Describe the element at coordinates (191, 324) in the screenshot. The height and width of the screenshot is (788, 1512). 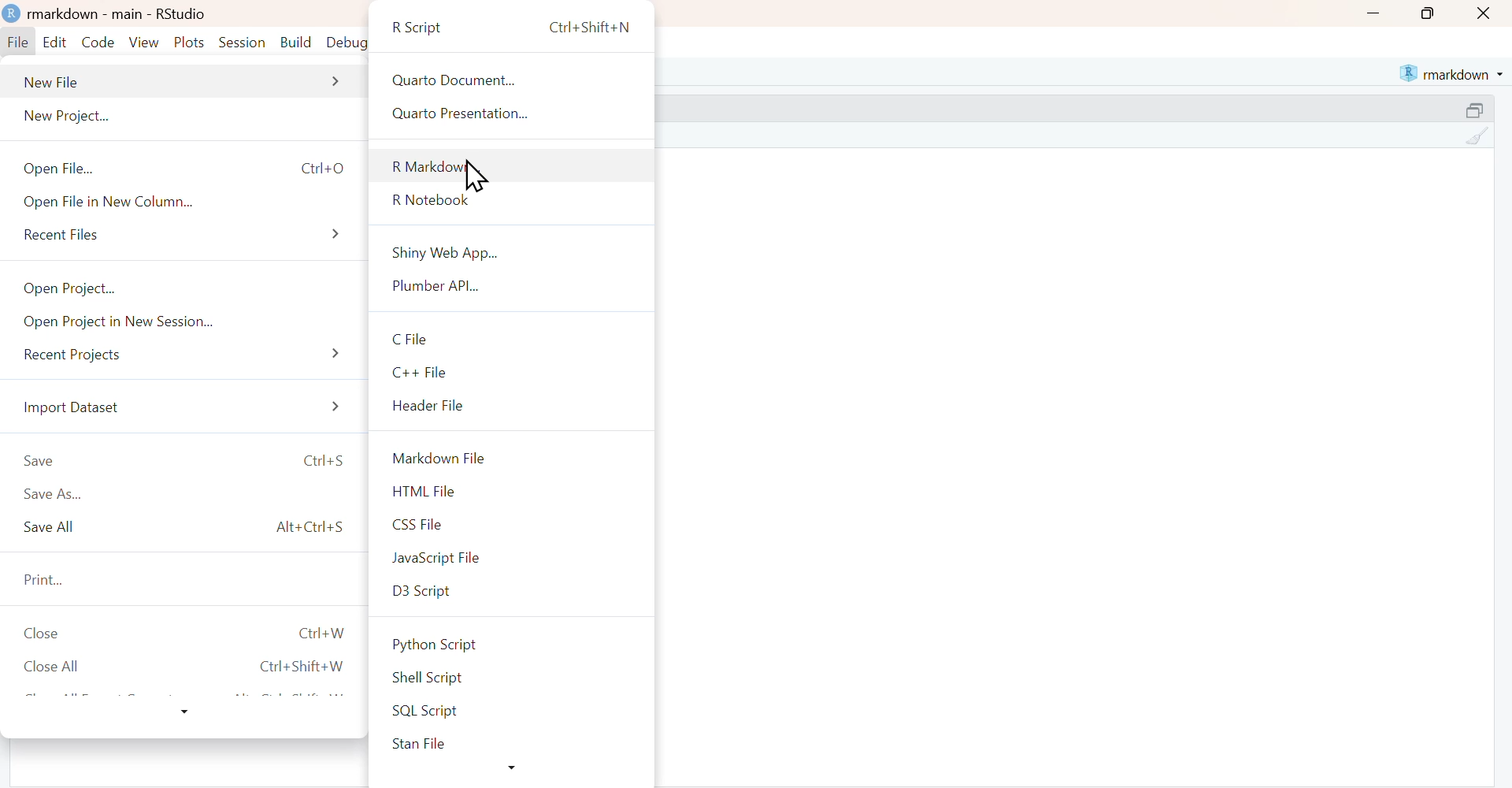
I see `open project in new session` at that location.